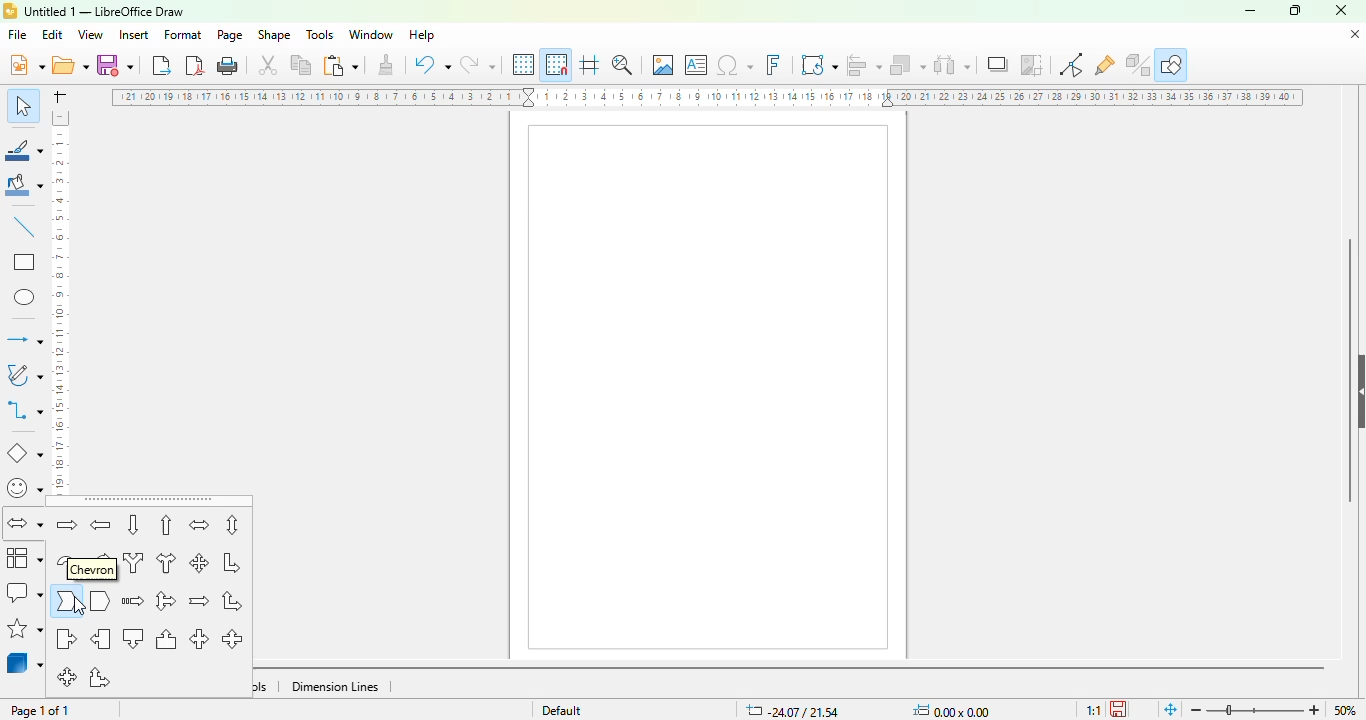 The height and width of the screenshot is (720, 1366). What do you see at coordinates (25, 558) in the screenshot?
I see `flowchart` at bounding box center [25, 558].